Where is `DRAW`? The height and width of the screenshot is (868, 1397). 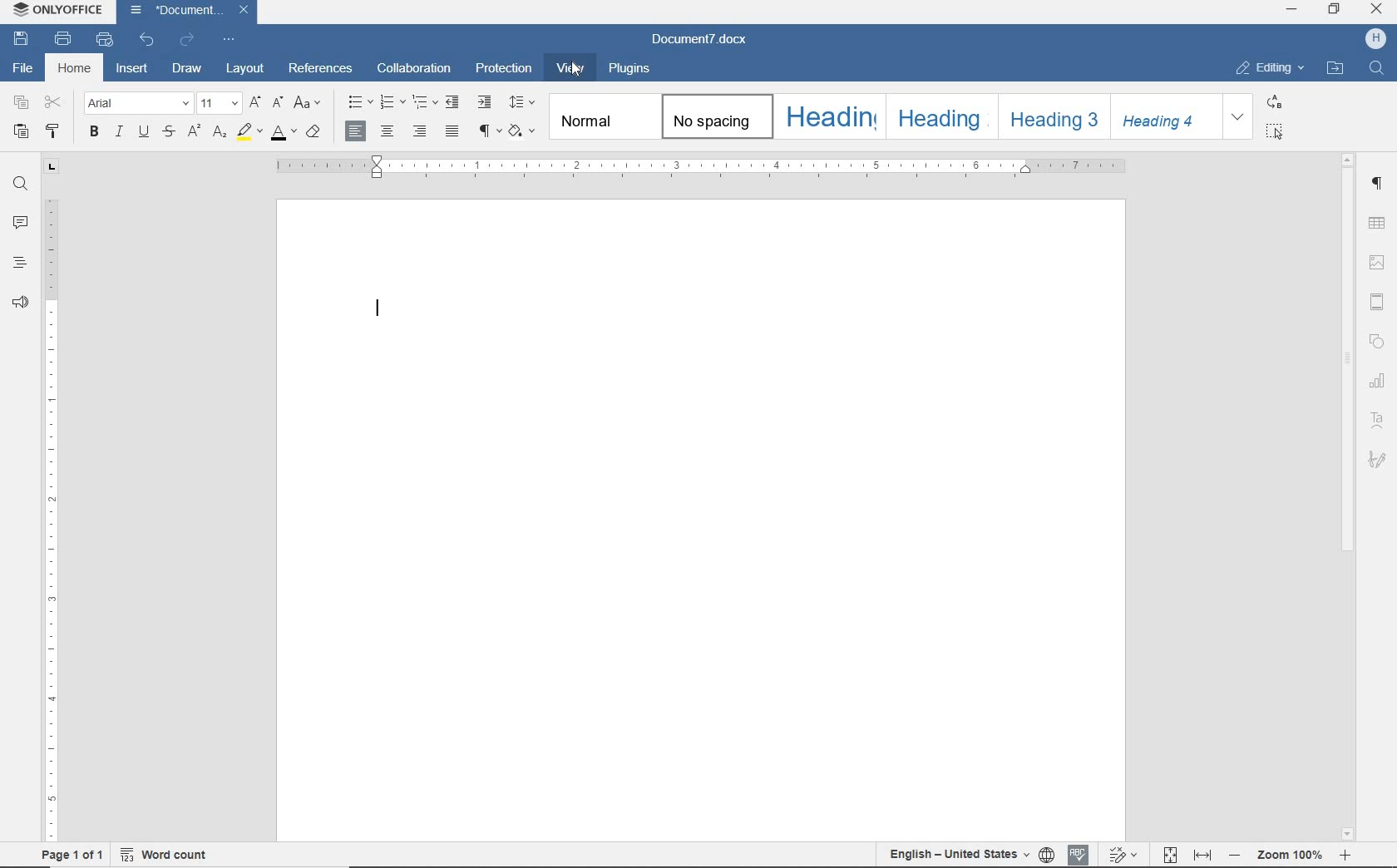 DRAW is located at coordinates (187, 72).